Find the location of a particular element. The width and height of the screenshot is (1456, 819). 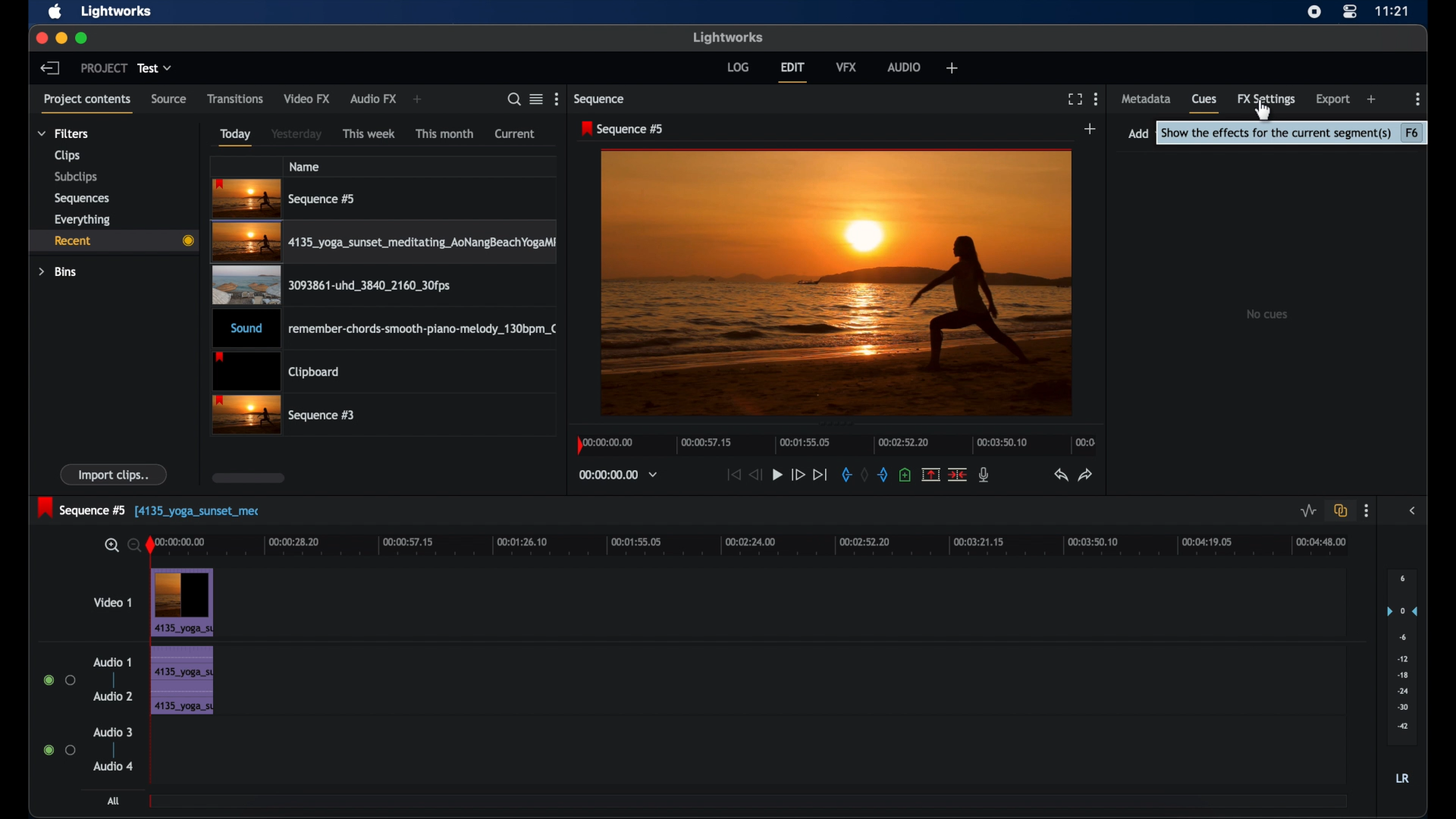

subclips is located at coordinates (77, 177).